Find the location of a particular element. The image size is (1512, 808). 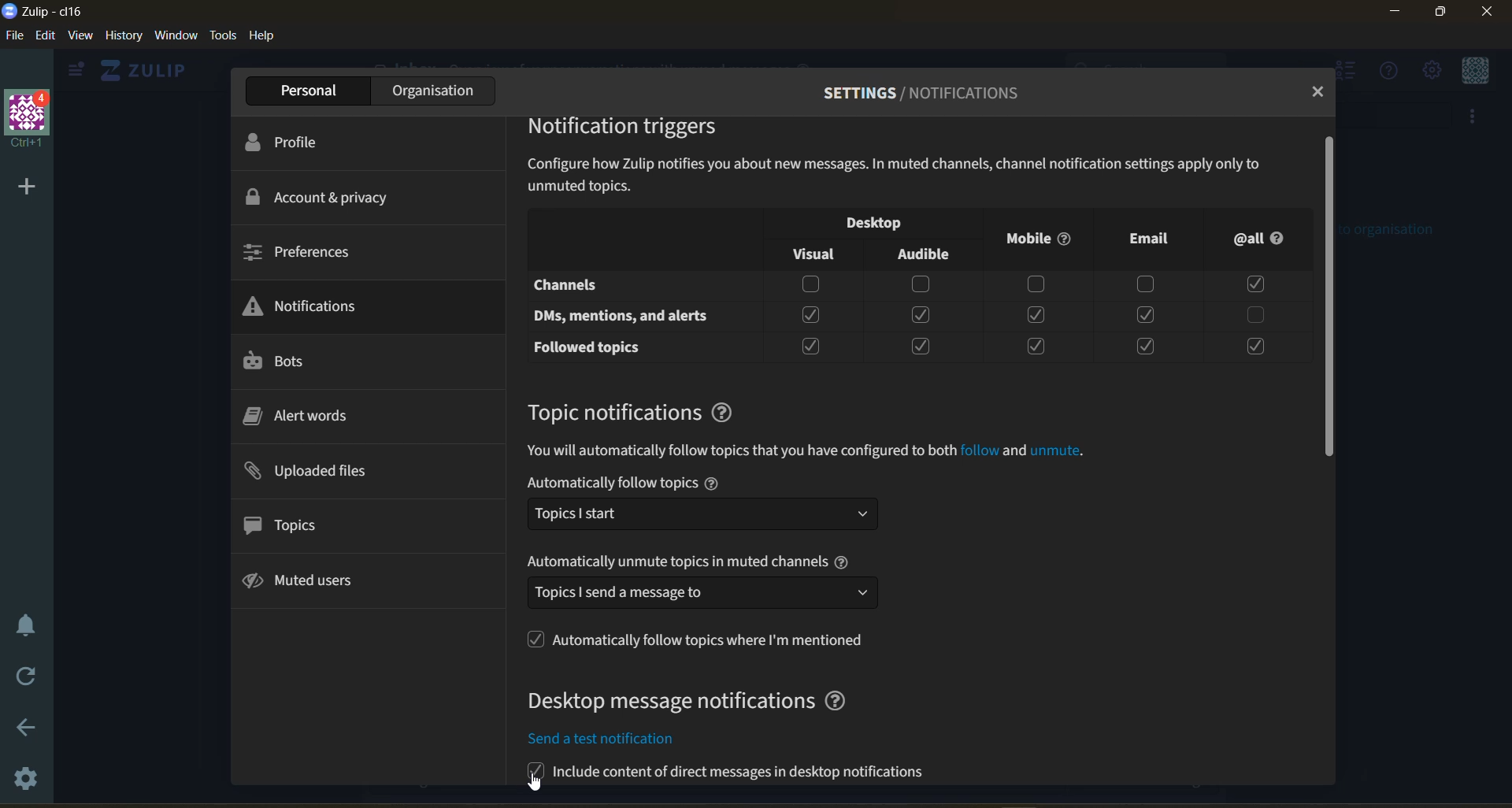

tools is located at coordinates (224, 36).